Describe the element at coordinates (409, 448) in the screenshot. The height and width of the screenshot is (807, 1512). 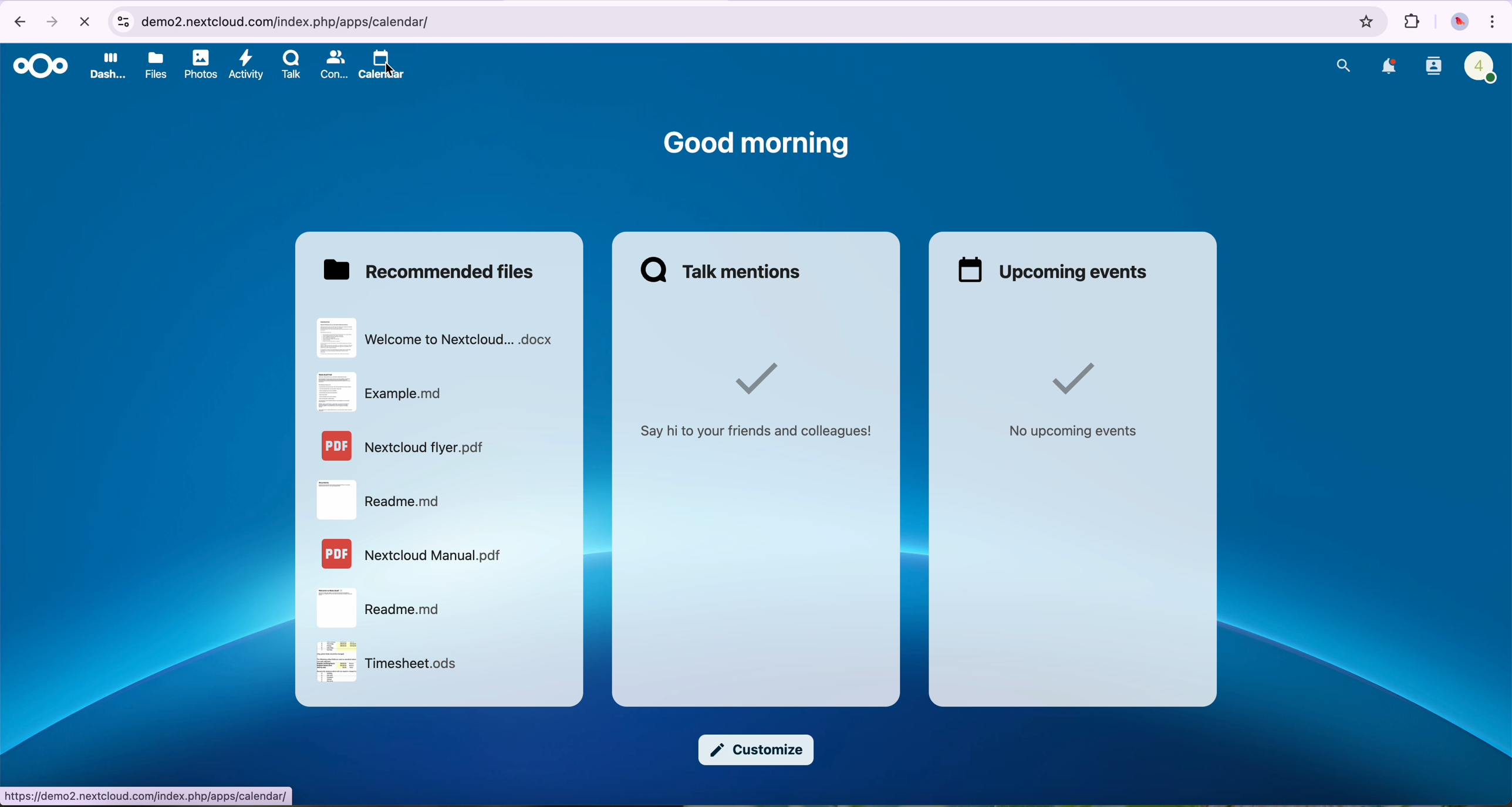
I see `file` at that location.